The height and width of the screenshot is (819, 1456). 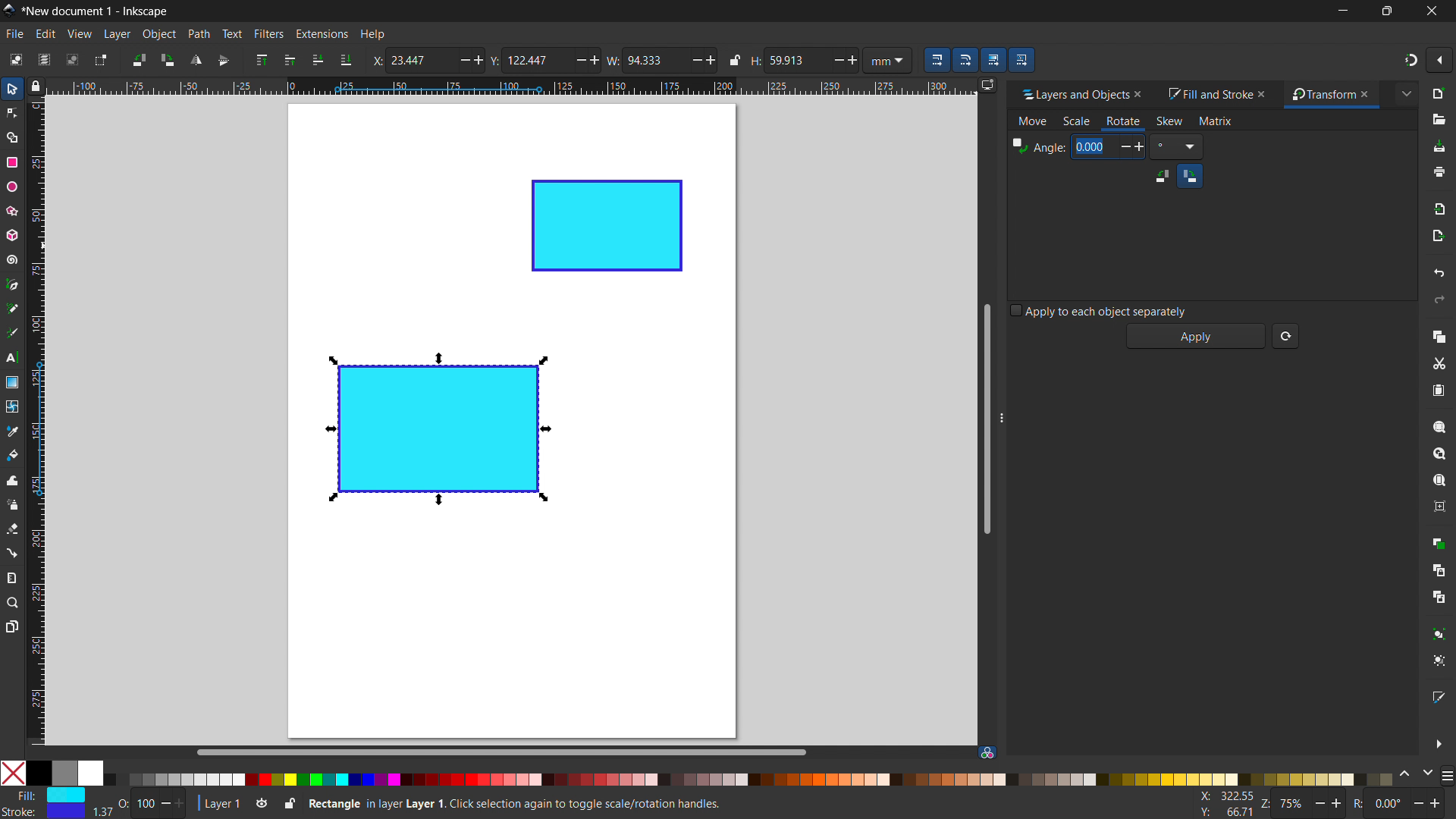 What do you see at coordinates (1162, 176) in the screenshot?
I see `counterclockwise` at bounding box center [1162, 176].